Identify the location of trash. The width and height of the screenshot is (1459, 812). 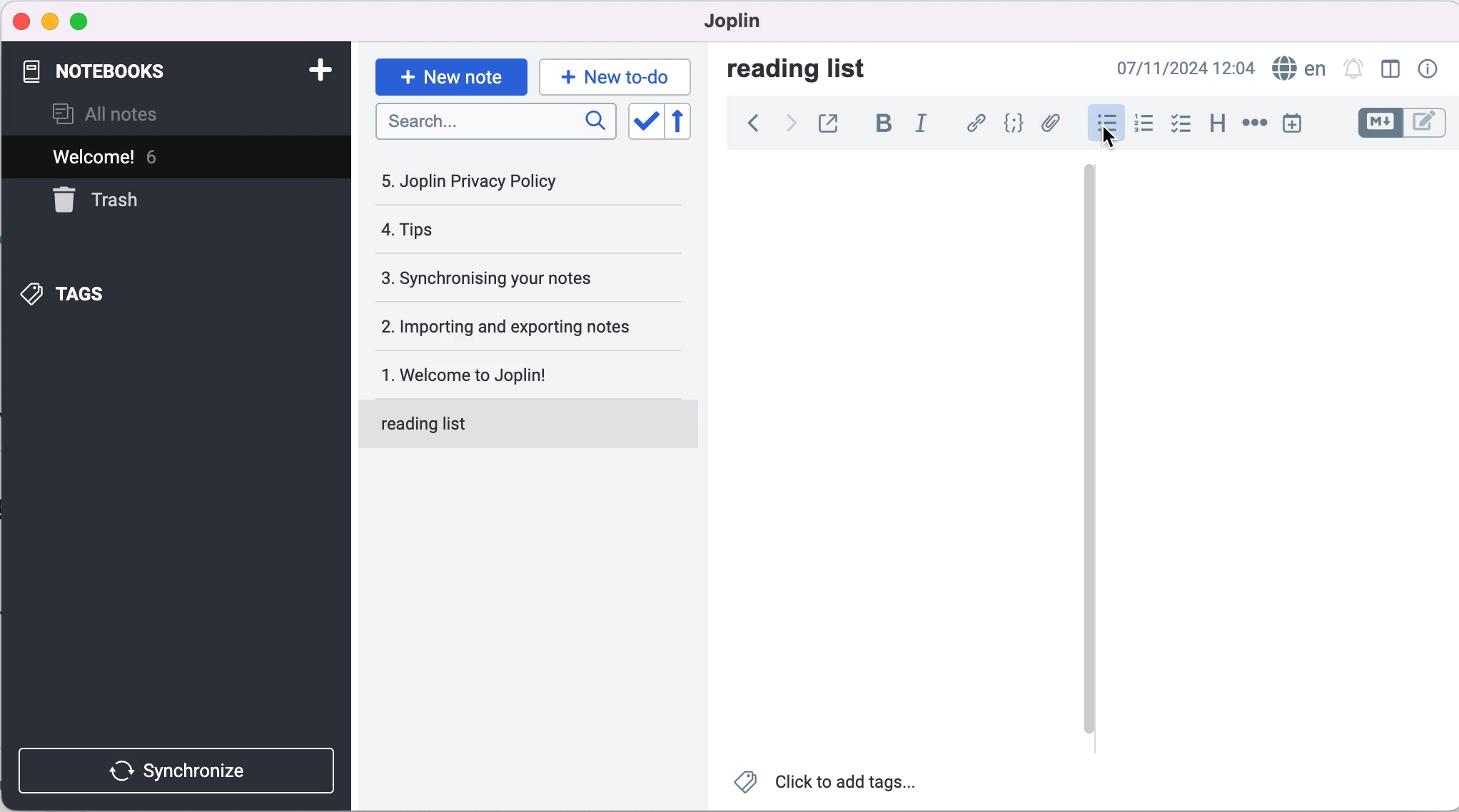
(111, 206).